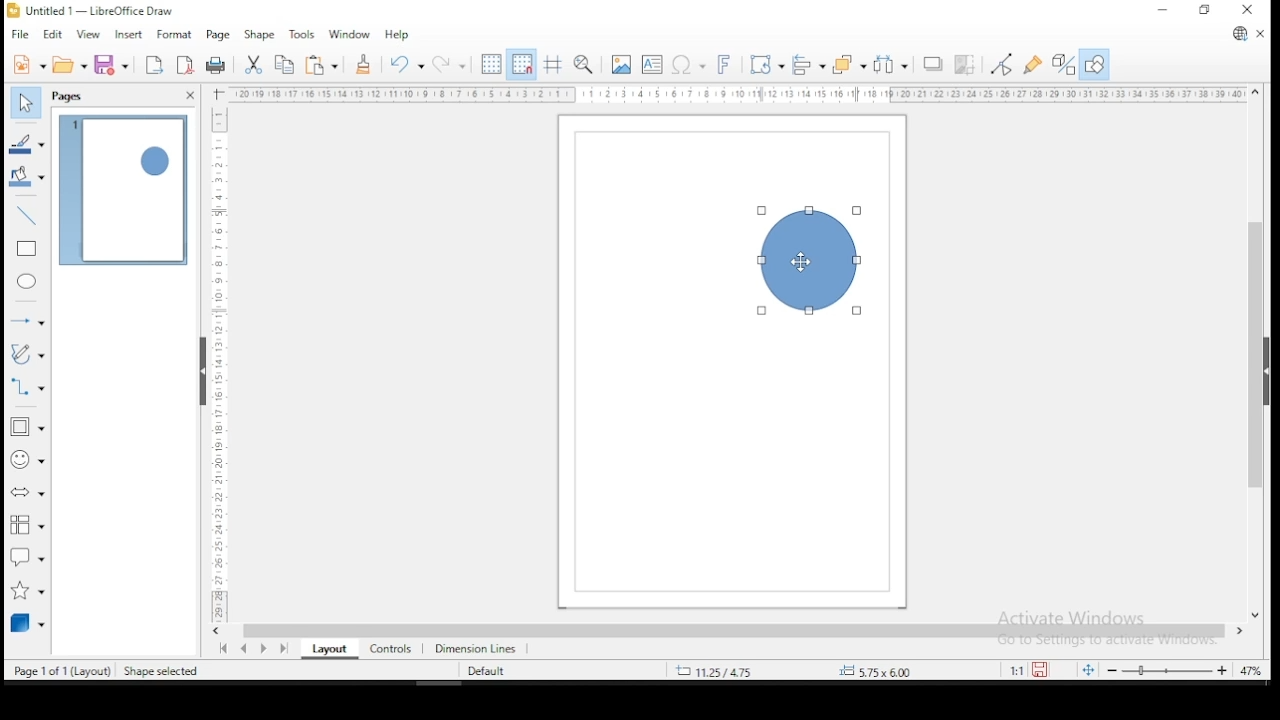 The height and width of the screenshot is (720, 1280). Describe the element at coordinates (448, 63) in the screenshot. I see `redo` at that location.